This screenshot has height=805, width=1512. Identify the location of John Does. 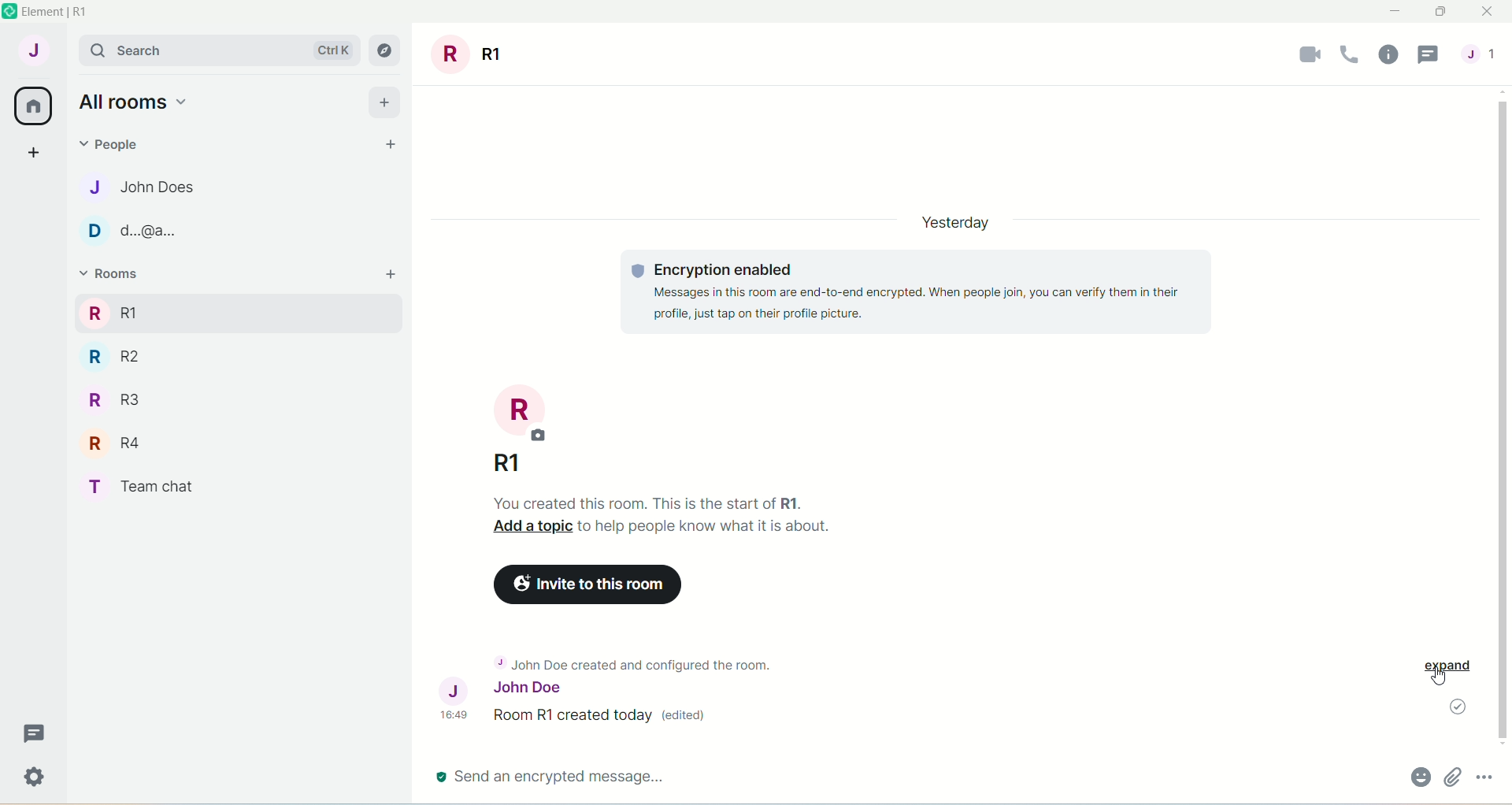
(146, 187).